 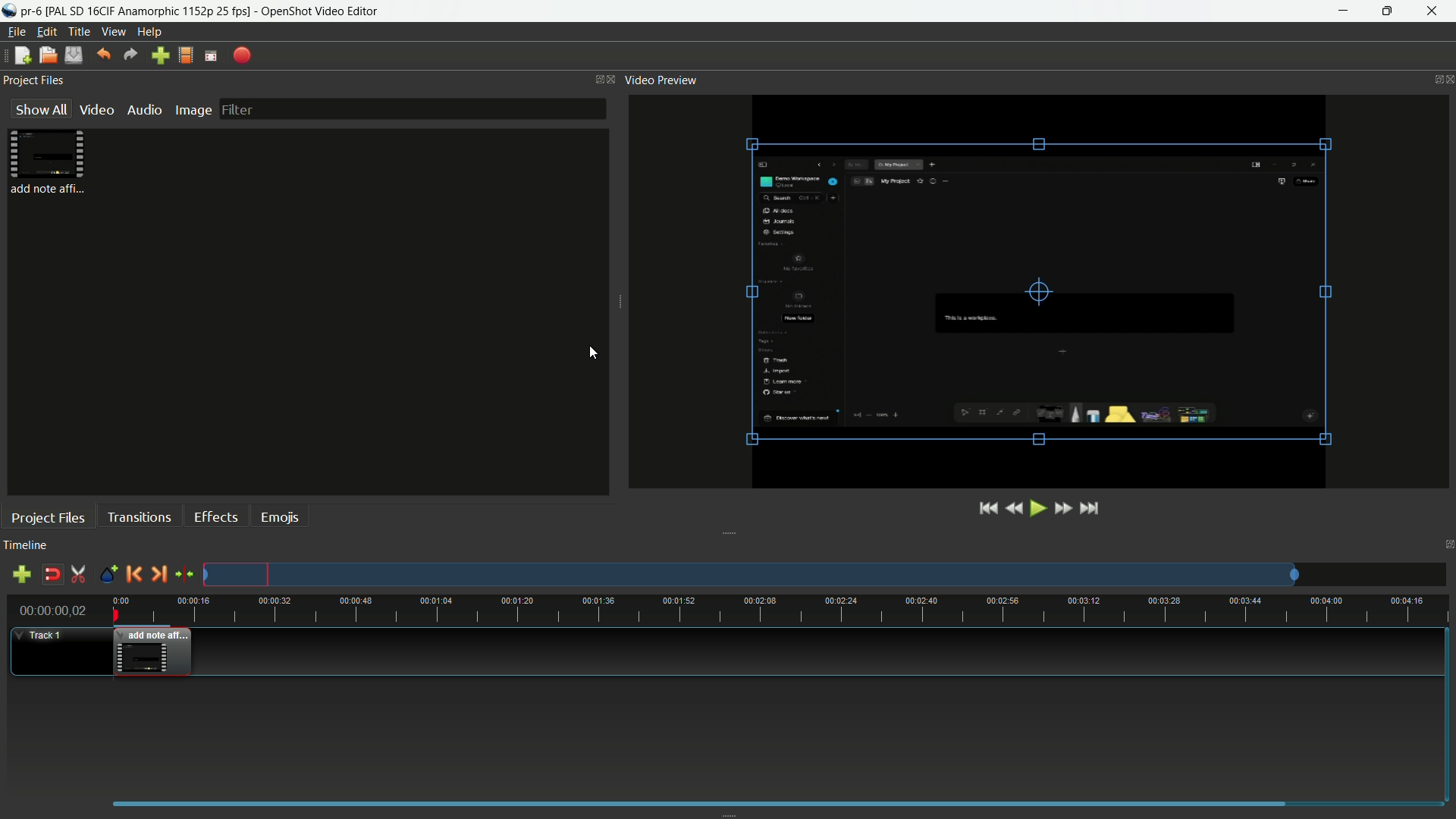 What do you see at coordinates (74, 55) in the screenshot?
I see `save file` at bounding box center [74, 55].